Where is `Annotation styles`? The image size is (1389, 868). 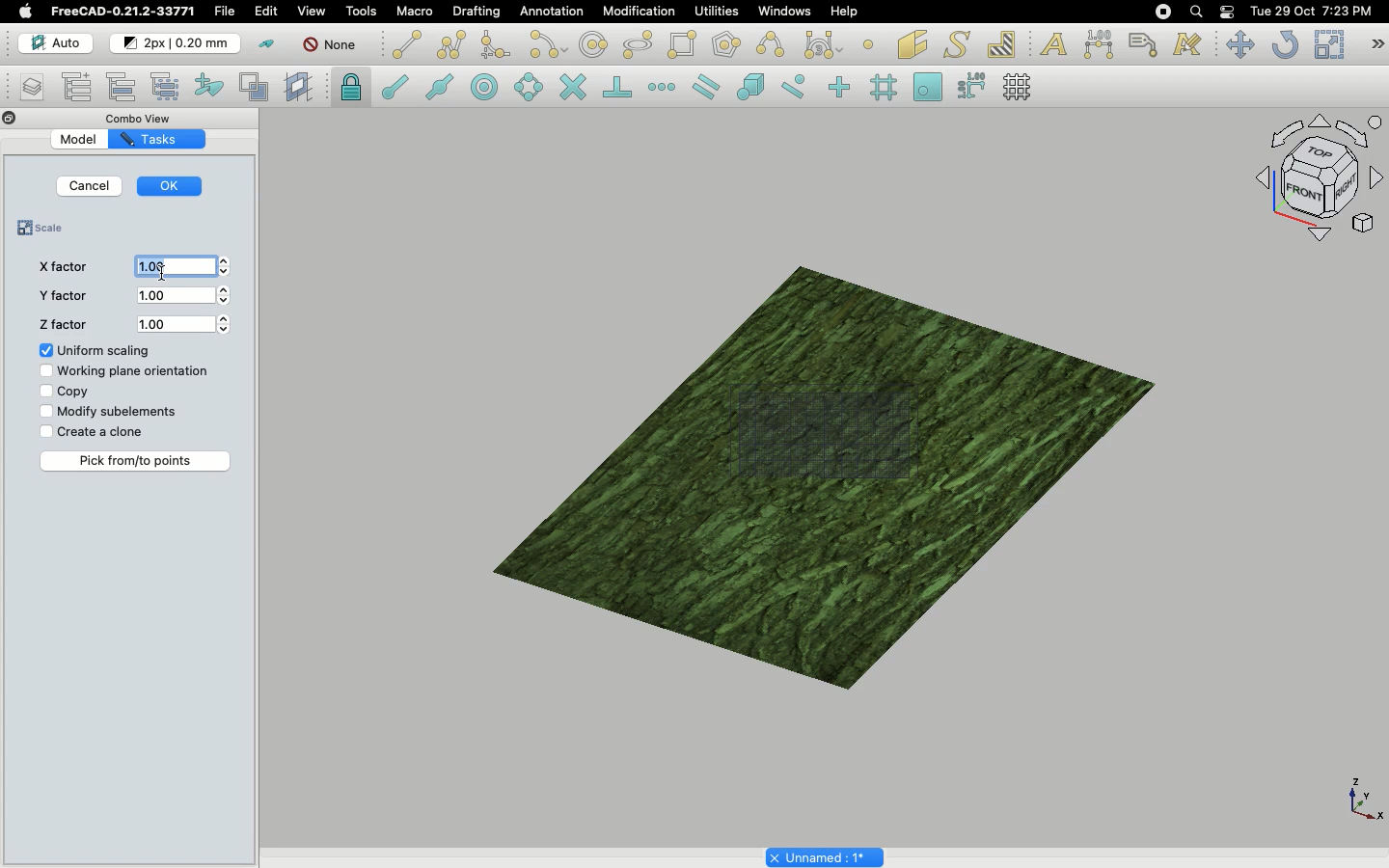 Annotation styles is located at coordinates (1186, 46).